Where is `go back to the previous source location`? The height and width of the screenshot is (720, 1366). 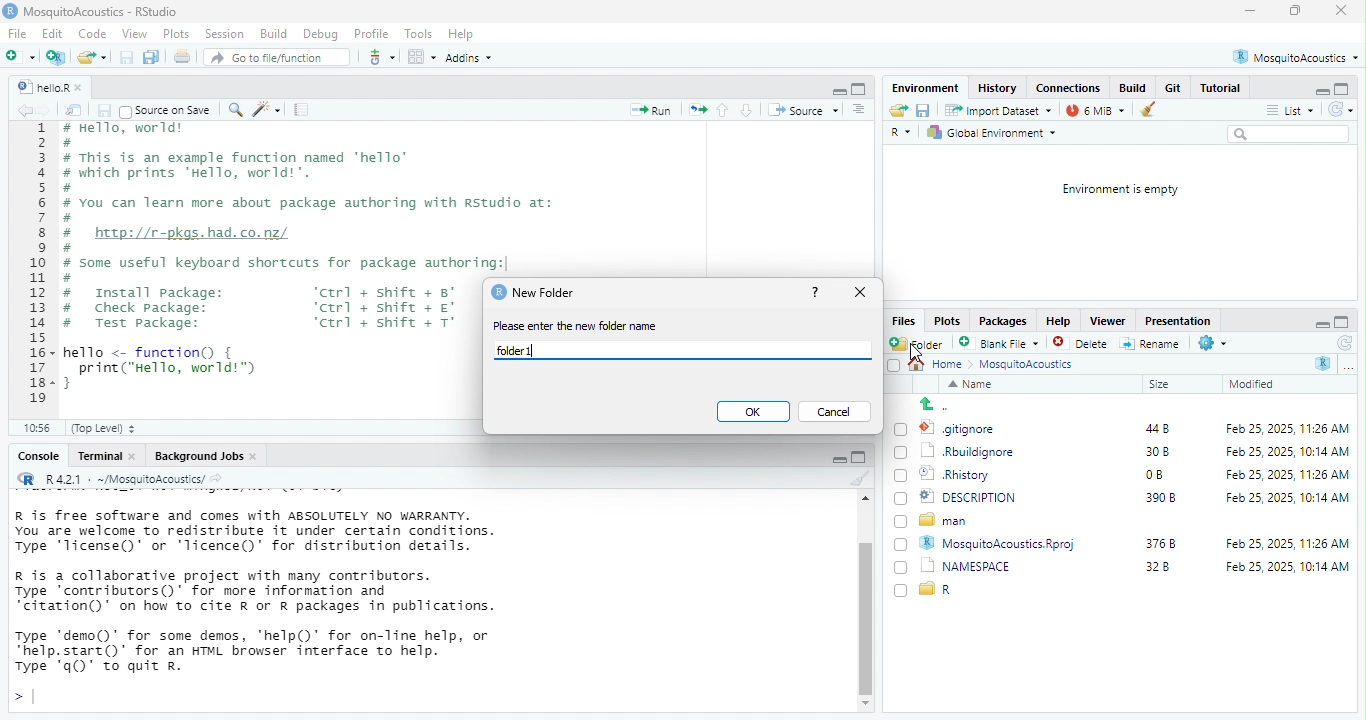
go back to the previous source location is located at coordinates (25, 112).